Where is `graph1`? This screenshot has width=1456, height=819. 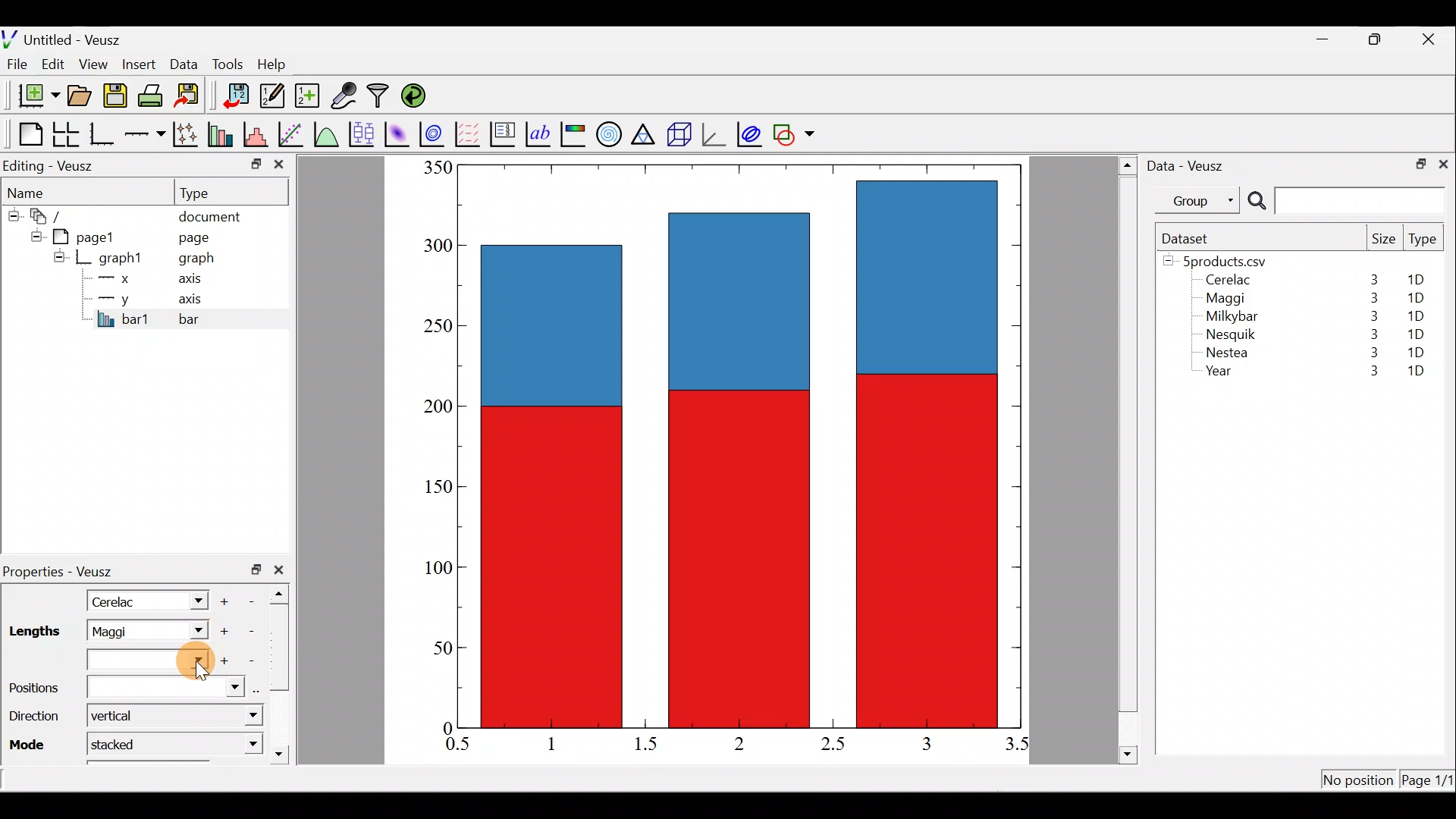 graph1 is located at coordinates (121, 259).